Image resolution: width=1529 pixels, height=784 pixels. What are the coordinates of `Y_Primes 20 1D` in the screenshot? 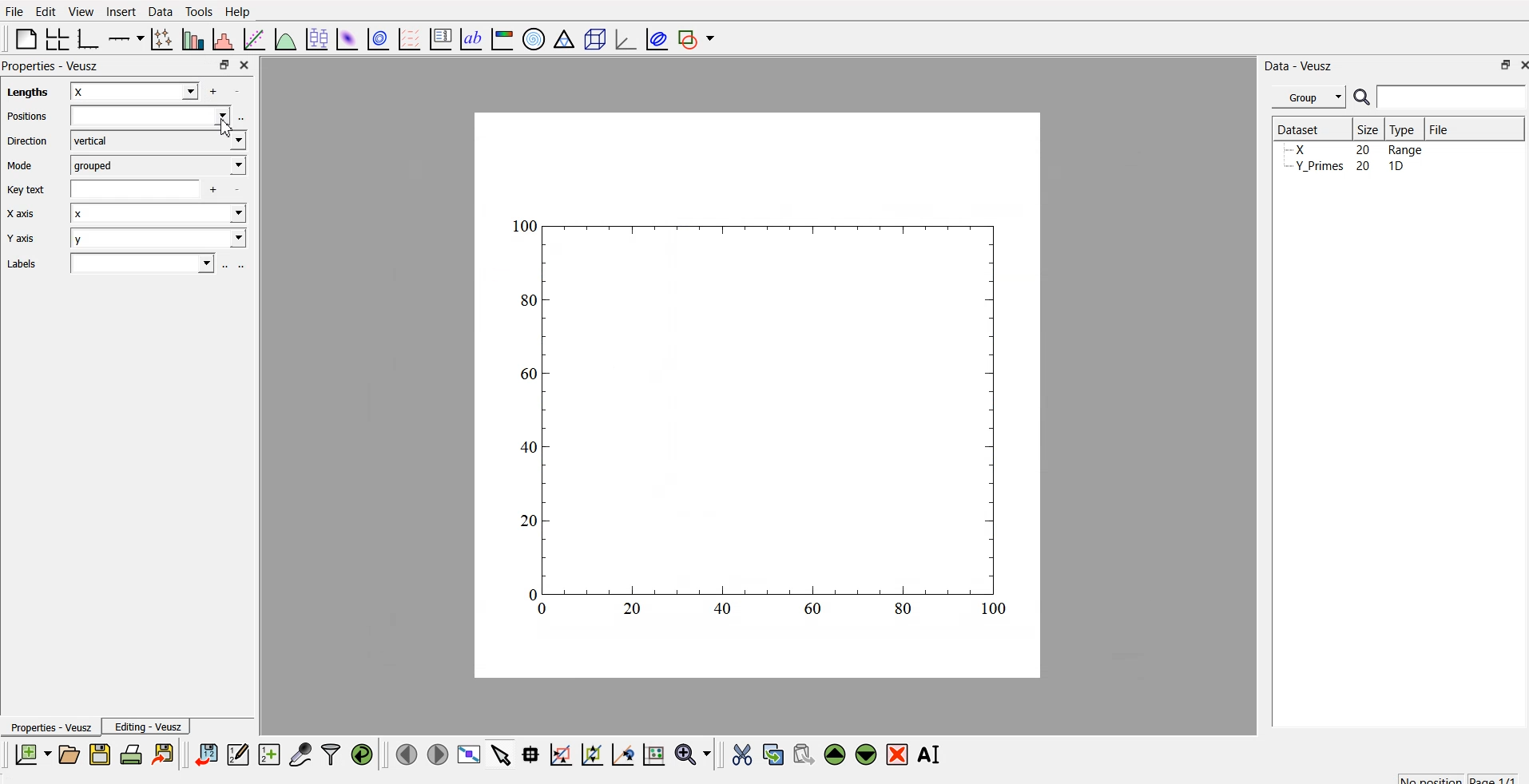 It's located at (1344, 151).